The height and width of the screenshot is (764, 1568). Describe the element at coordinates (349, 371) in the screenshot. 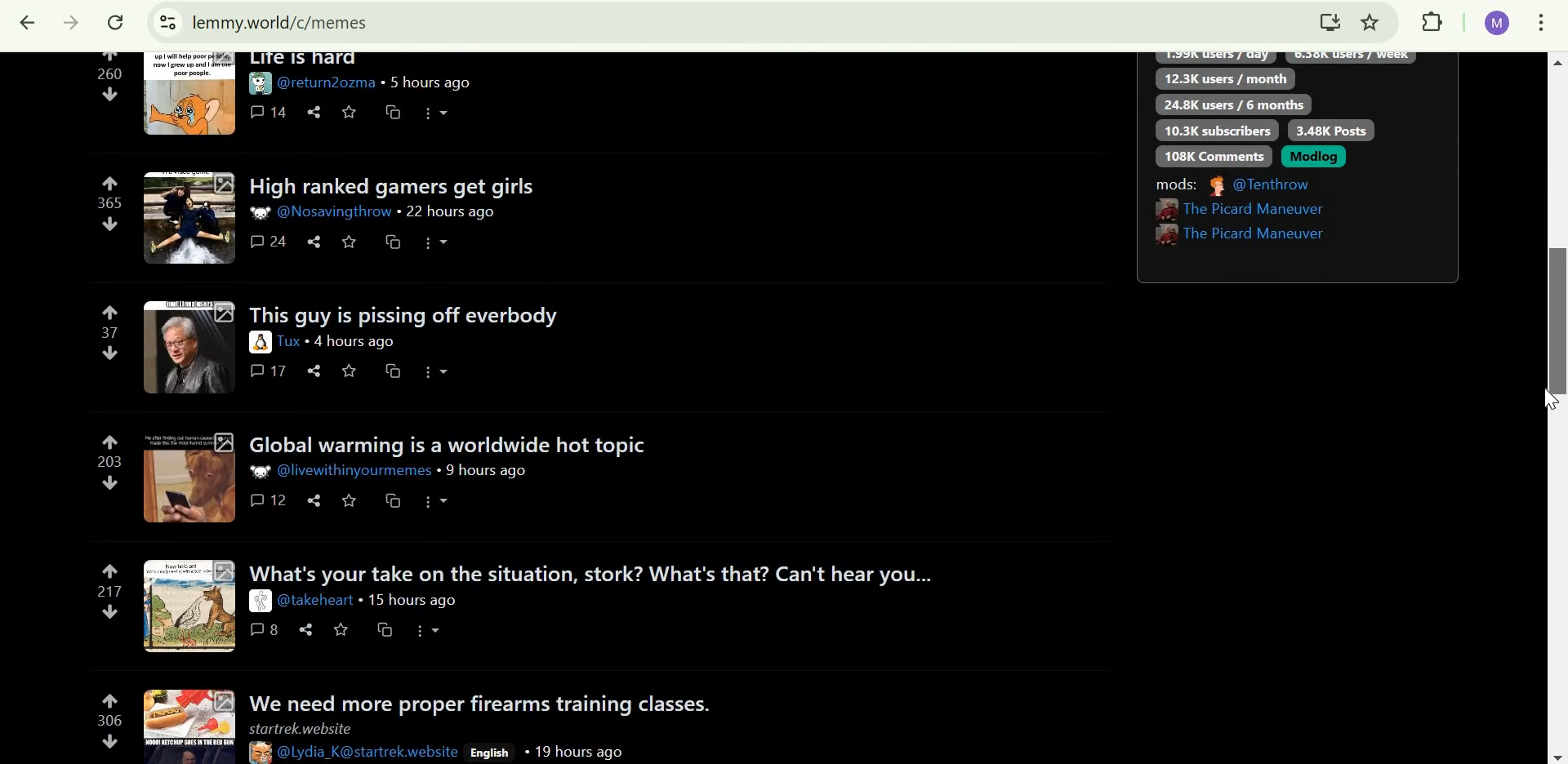

I see `save` at that location.